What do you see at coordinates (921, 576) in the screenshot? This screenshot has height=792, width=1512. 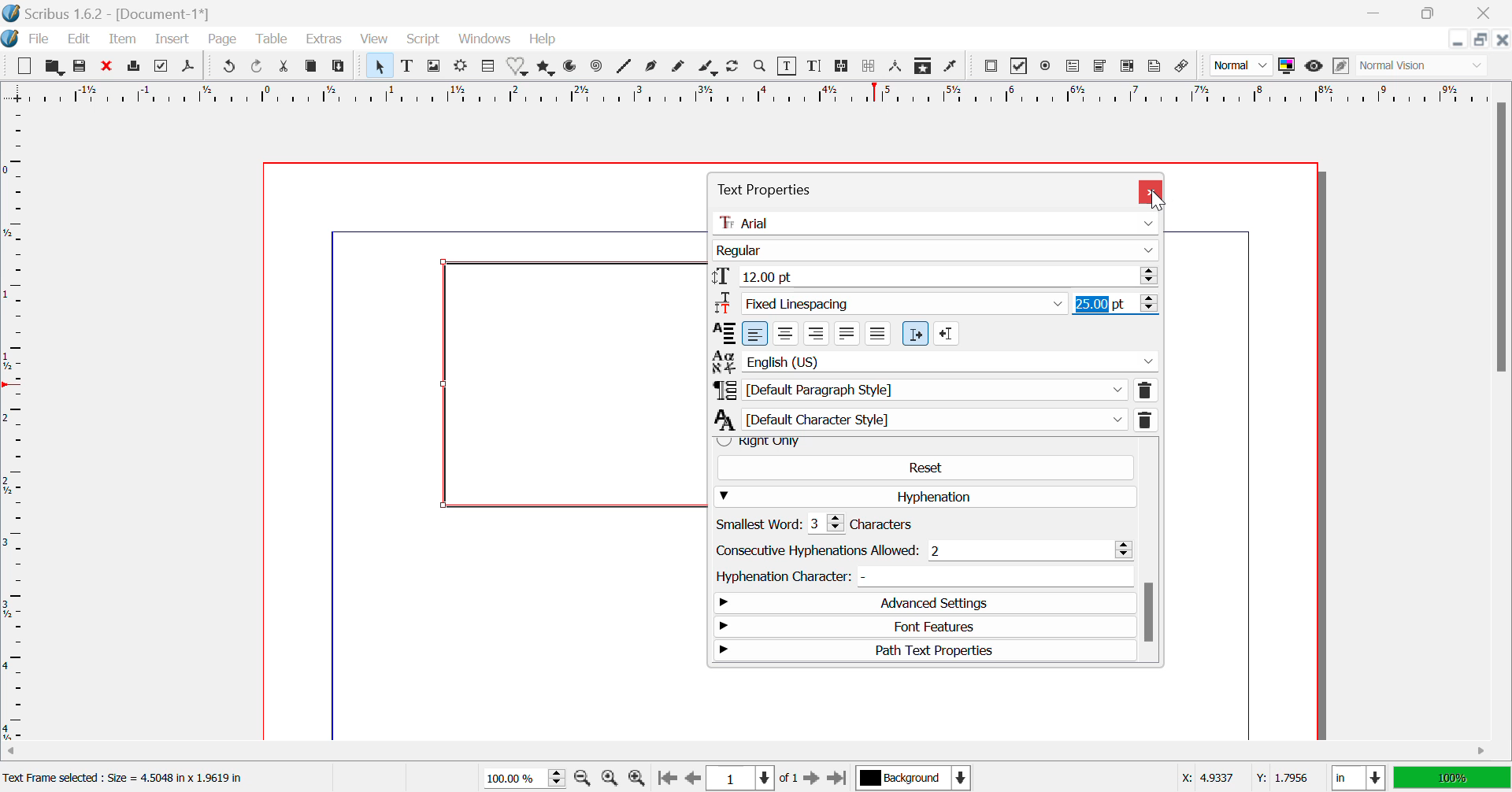 I see `Hyphenation Character` at bounding box center [921, 576].